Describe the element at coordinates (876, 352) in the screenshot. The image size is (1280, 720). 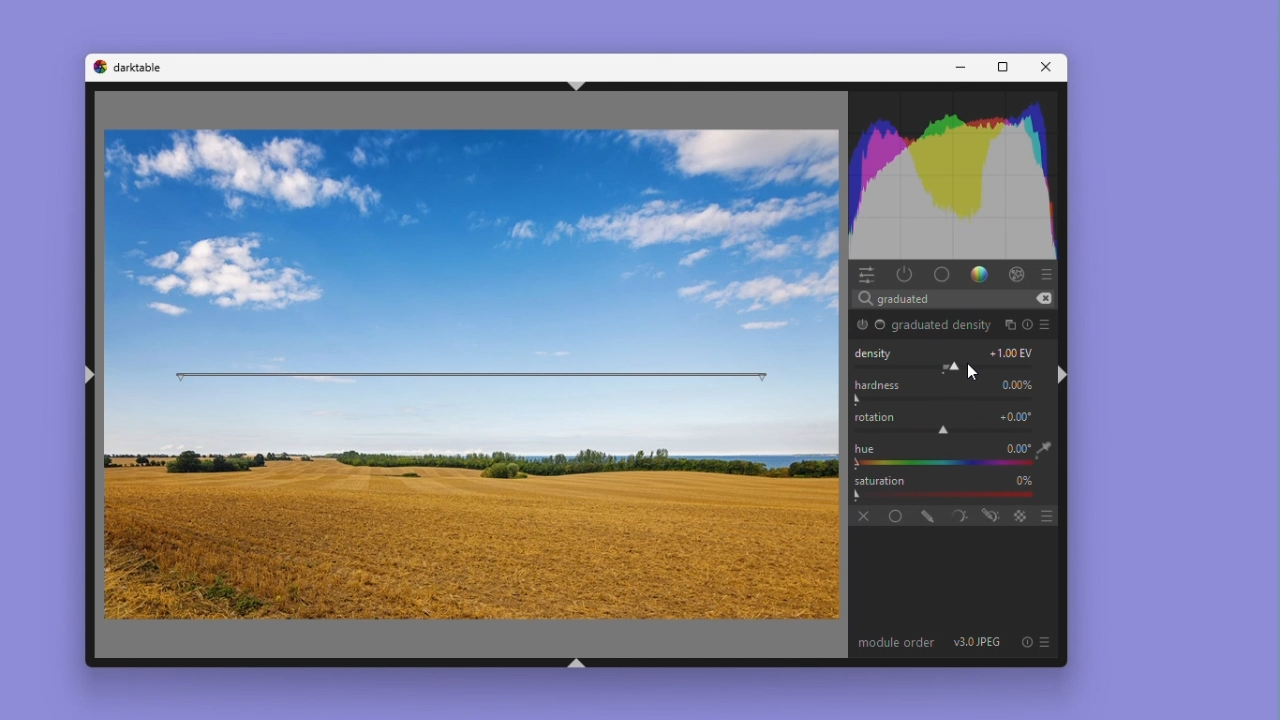
I see `Density` at that location.